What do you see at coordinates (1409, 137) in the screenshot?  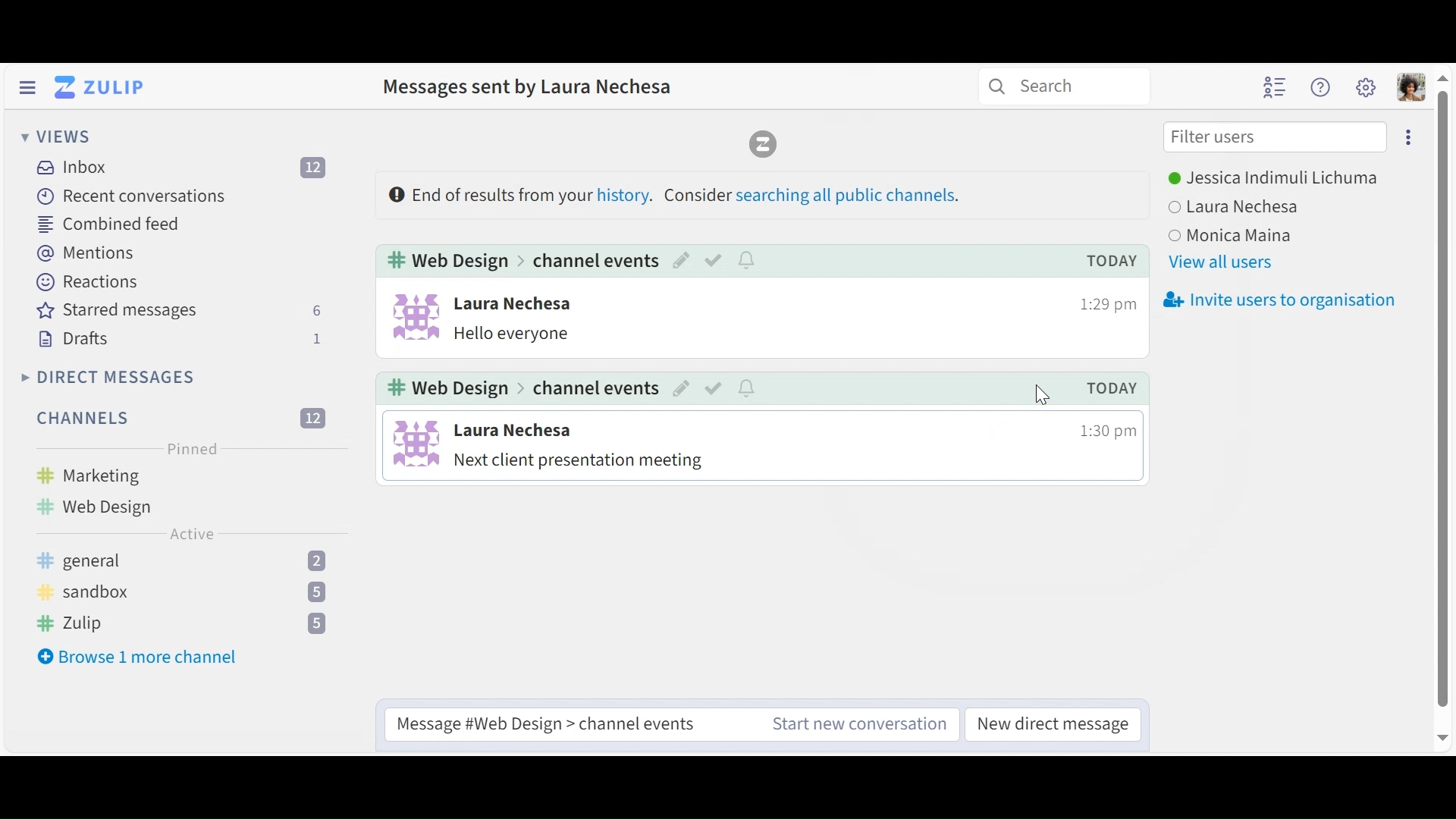 I see `more options` at bounding box center [1409, 137].